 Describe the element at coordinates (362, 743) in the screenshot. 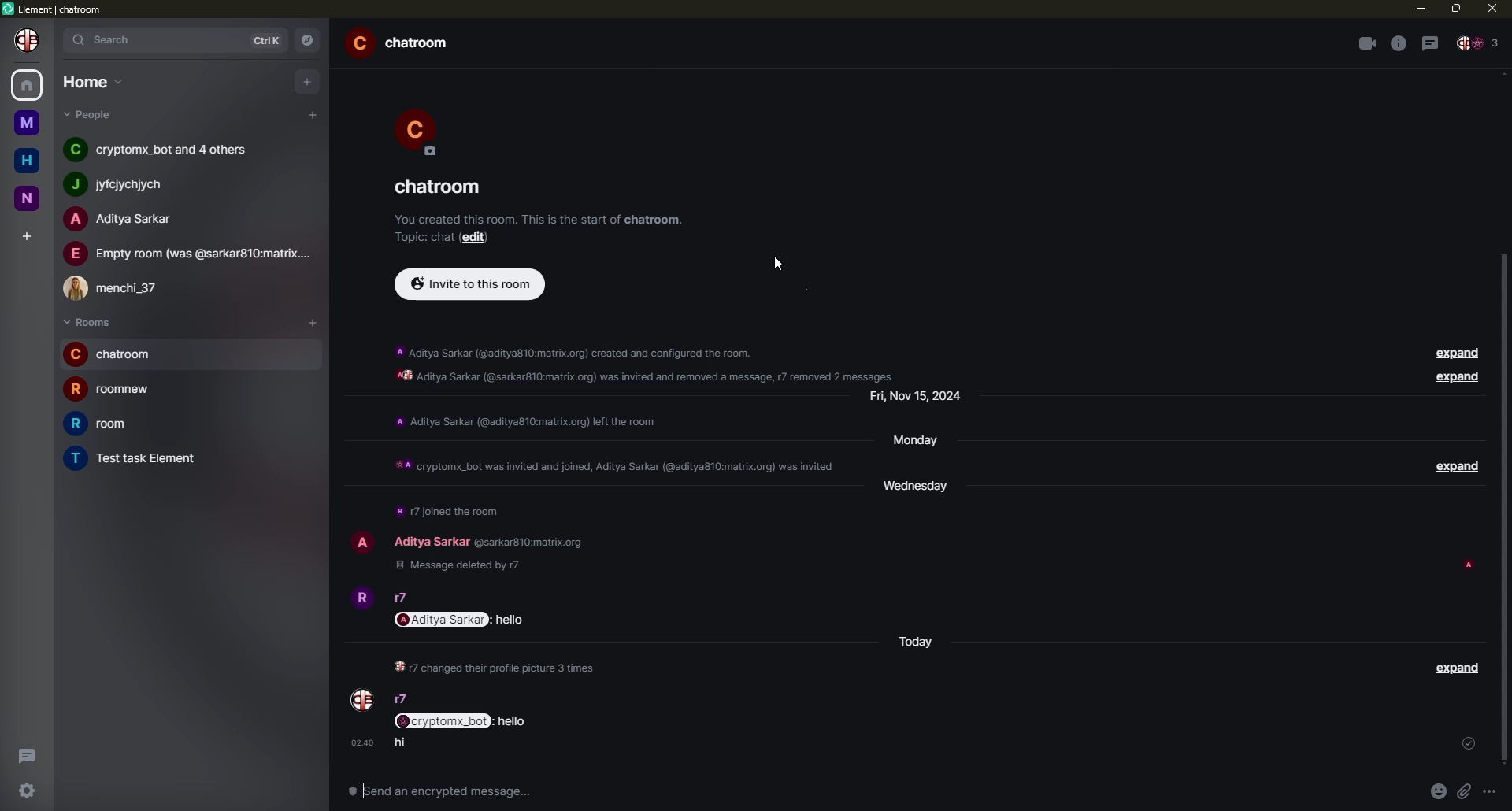

I see `time` at that location.